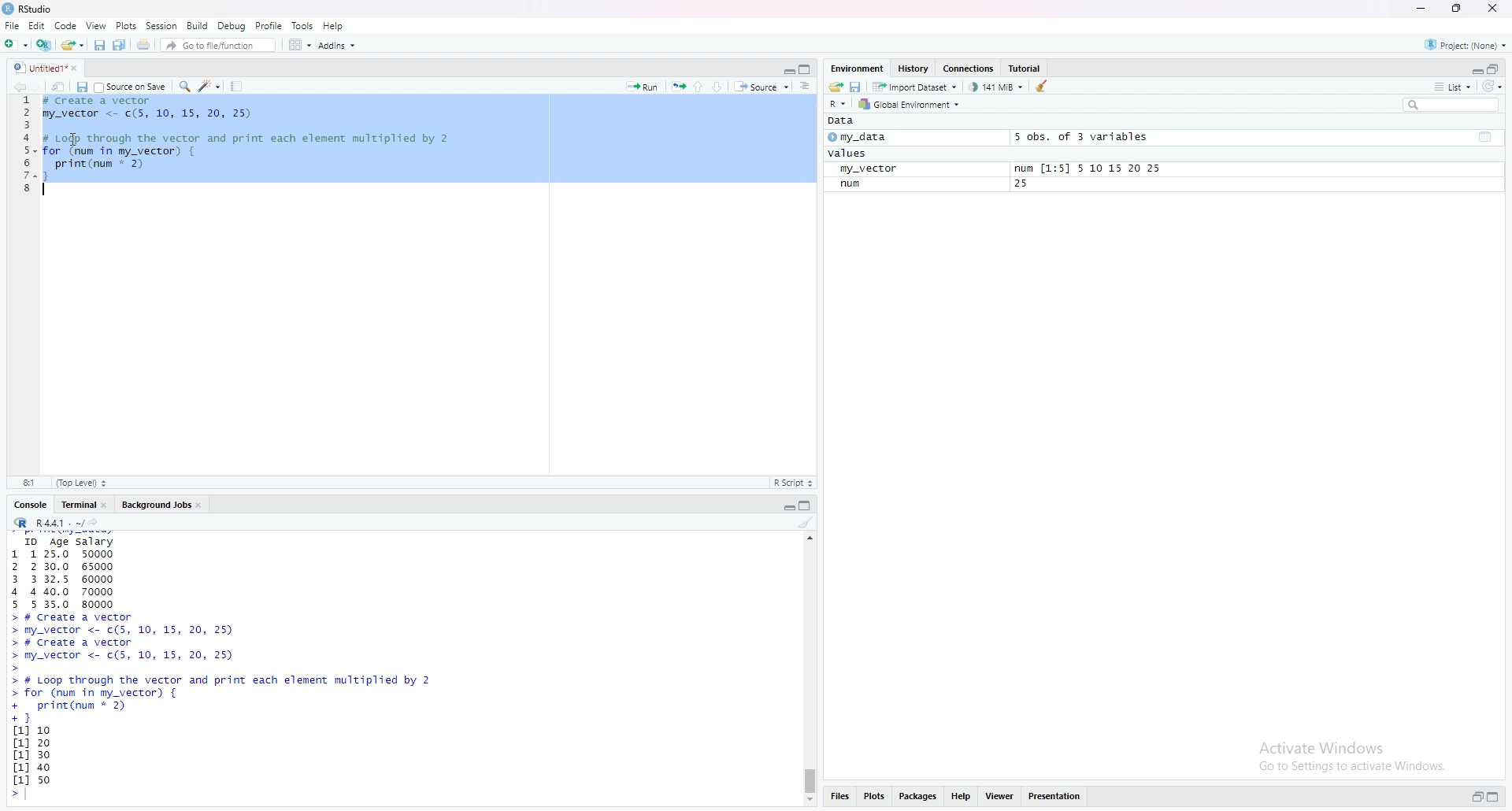 The width and height of the screenshot is (1512, 811). Describe the element at coordinates (36, 26) in the screenshot. I see `Edit` at that location.